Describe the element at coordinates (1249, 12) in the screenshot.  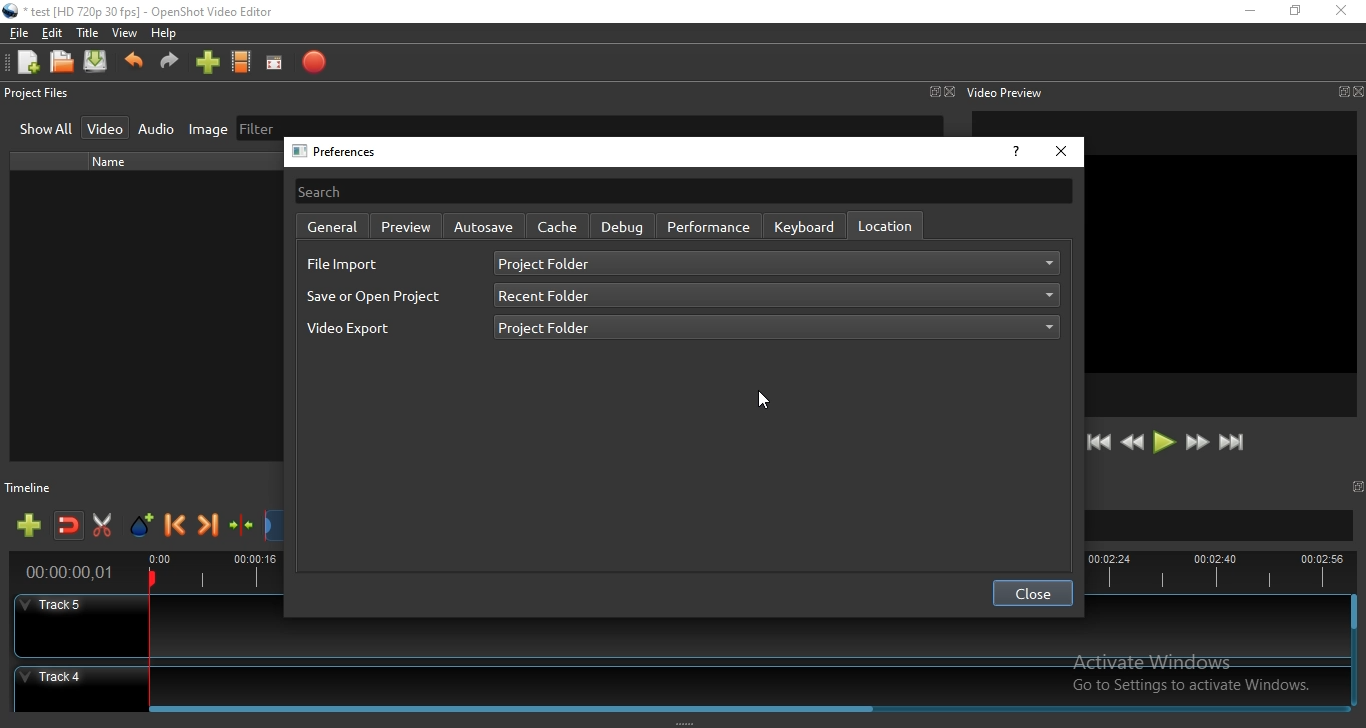
I see `Minimise` at that location.